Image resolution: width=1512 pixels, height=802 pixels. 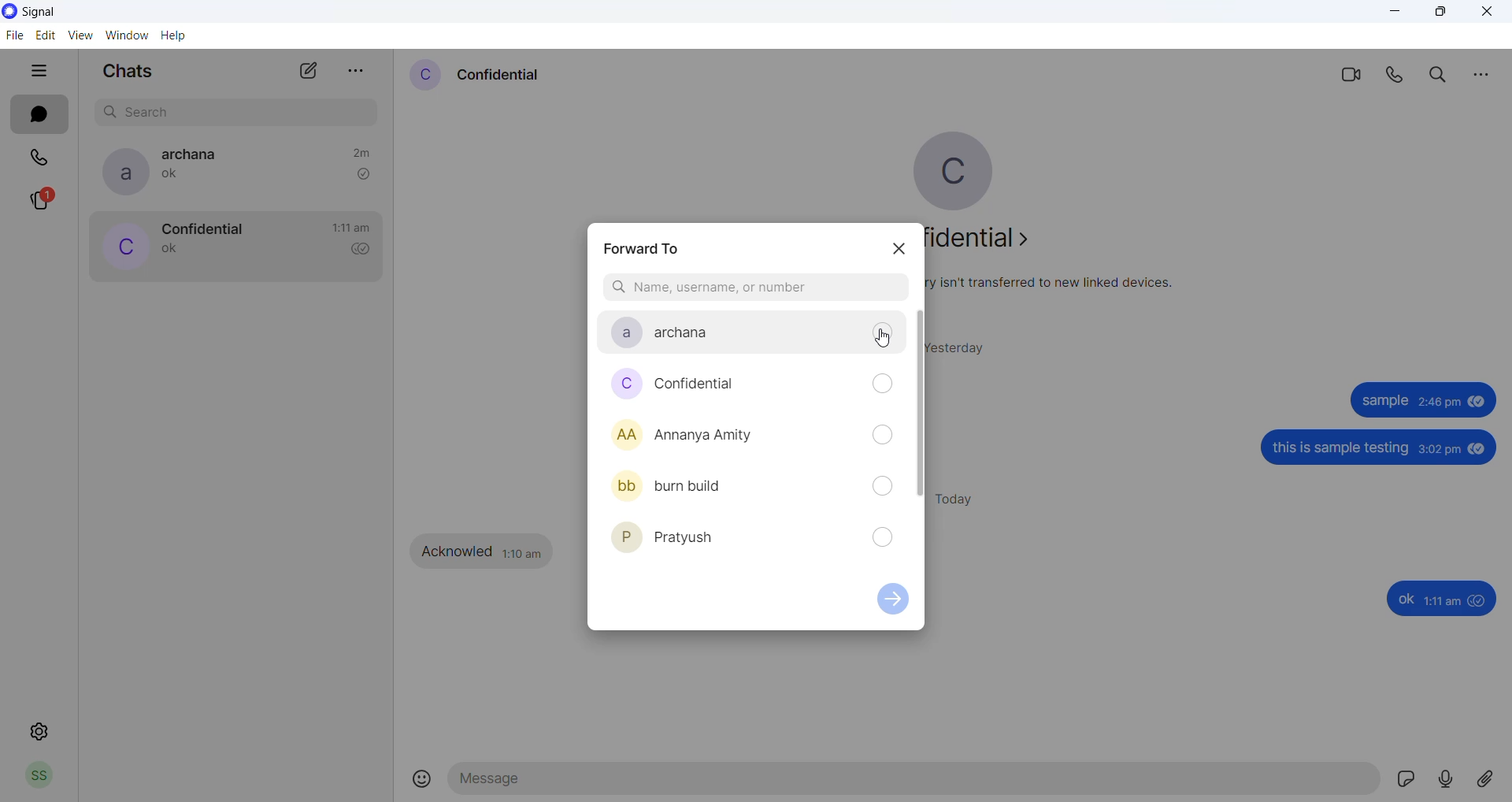 What do you see at coordinates (1398, 75) in the screenshot?
I see `voice call` at bounding box center [1398, 75].